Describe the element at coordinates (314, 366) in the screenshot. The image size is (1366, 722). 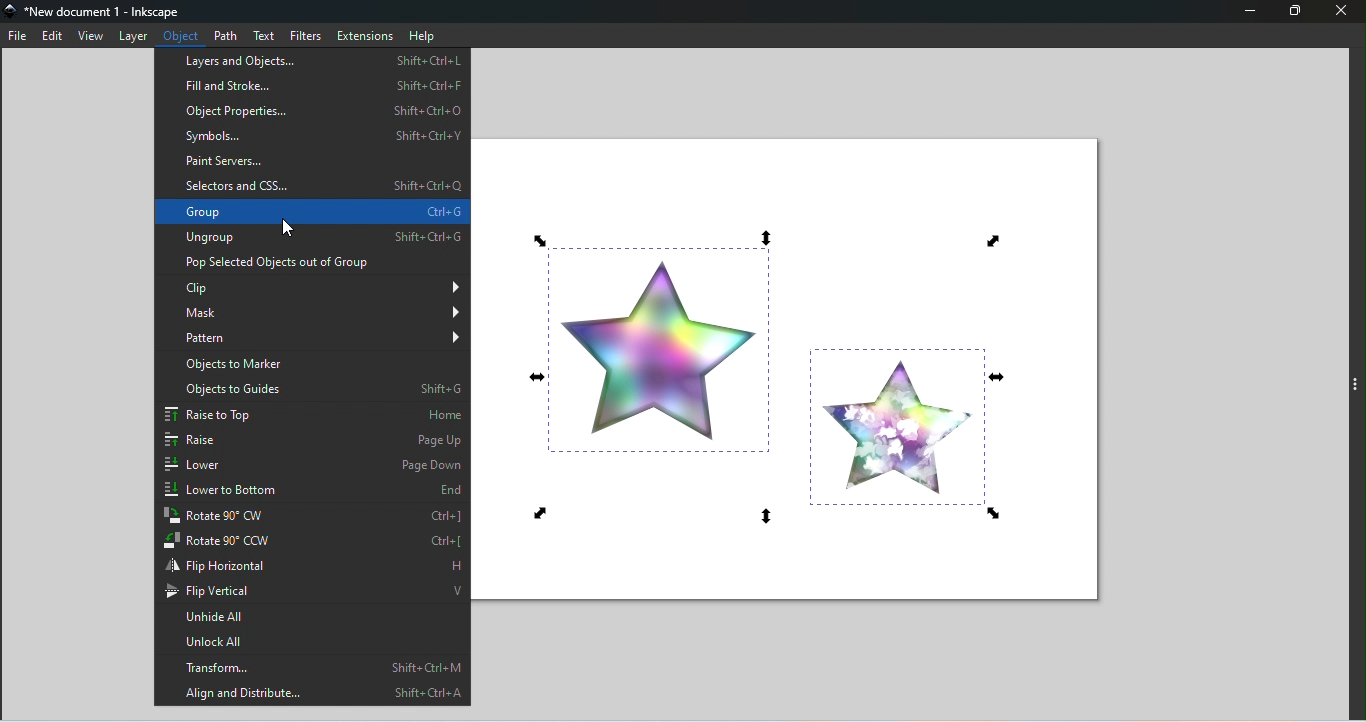
I see `Objects to marker` at that location.